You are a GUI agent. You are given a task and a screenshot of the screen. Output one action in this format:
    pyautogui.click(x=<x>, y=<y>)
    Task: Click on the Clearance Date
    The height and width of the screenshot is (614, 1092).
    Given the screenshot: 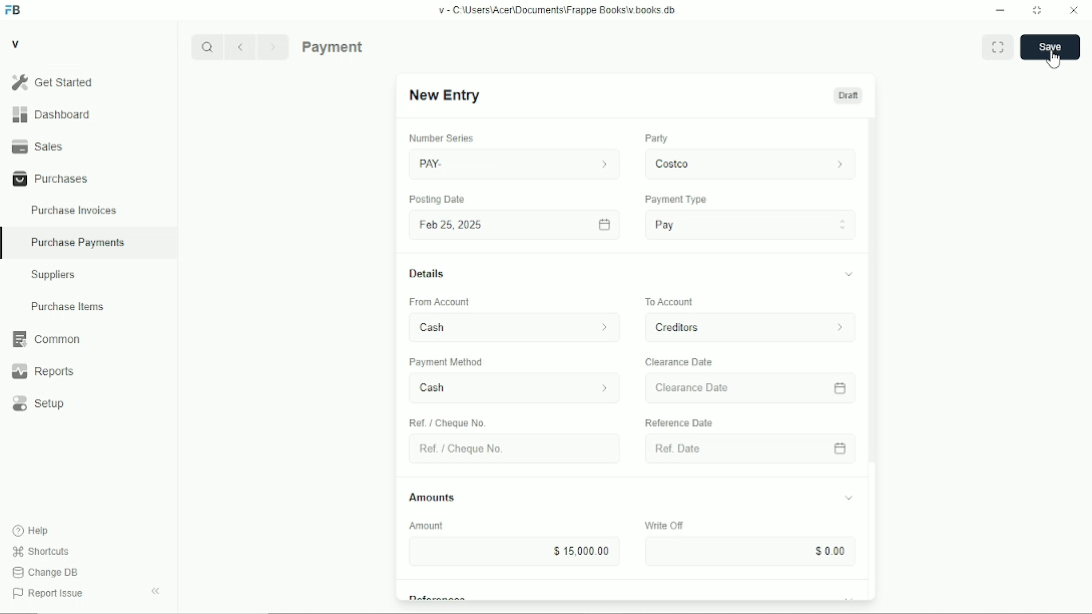 What is the action you would take?
    pyautogui.click(x=736, y=388)
    